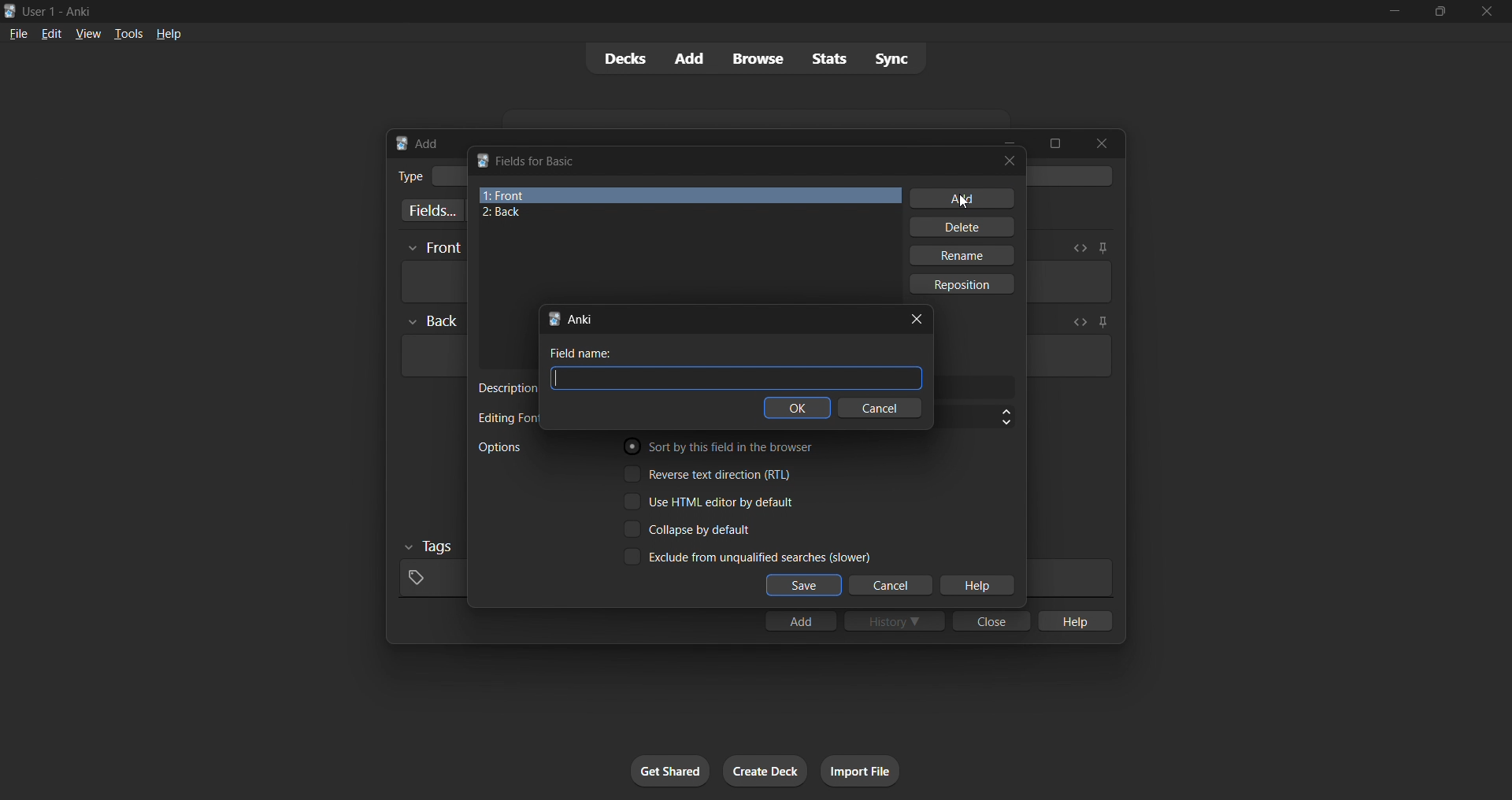 The image size is (1512, 800). I want to click on cancel, so click(892, 586).